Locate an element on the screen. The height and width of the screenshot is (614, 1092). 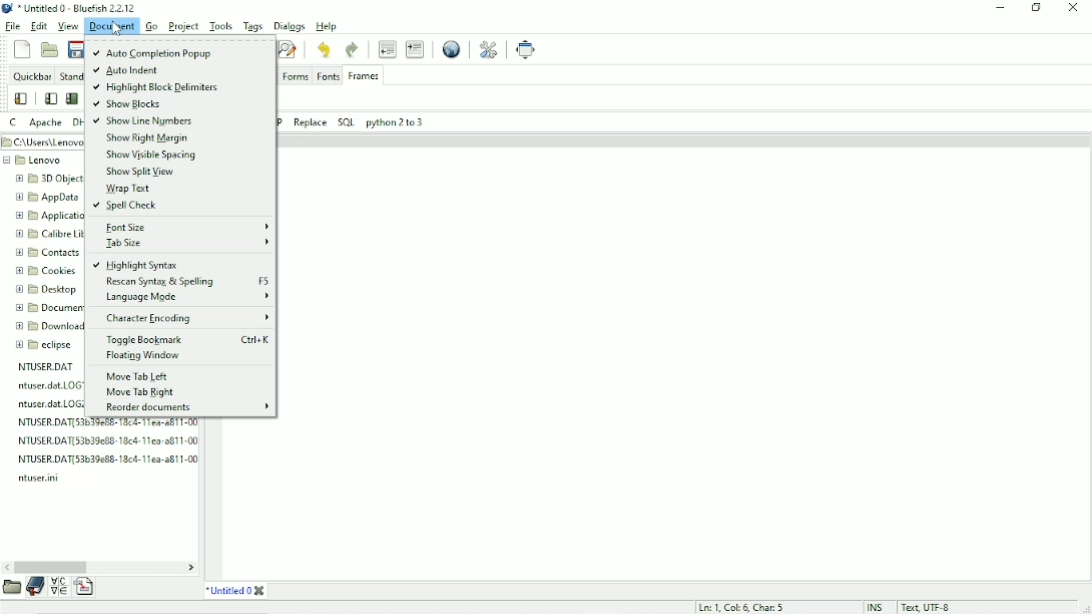
Dialogs is located at coordinates (290, 25).